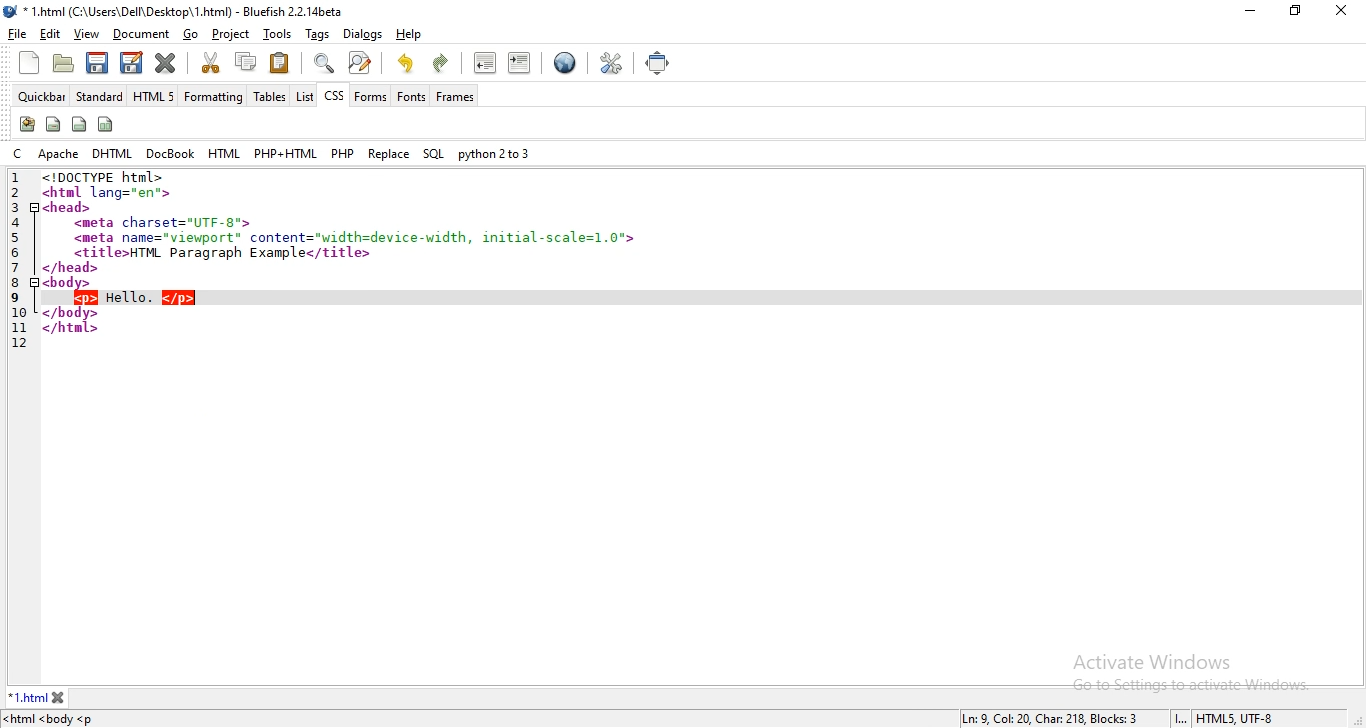  I want to click on <body>, so click(69, 283).